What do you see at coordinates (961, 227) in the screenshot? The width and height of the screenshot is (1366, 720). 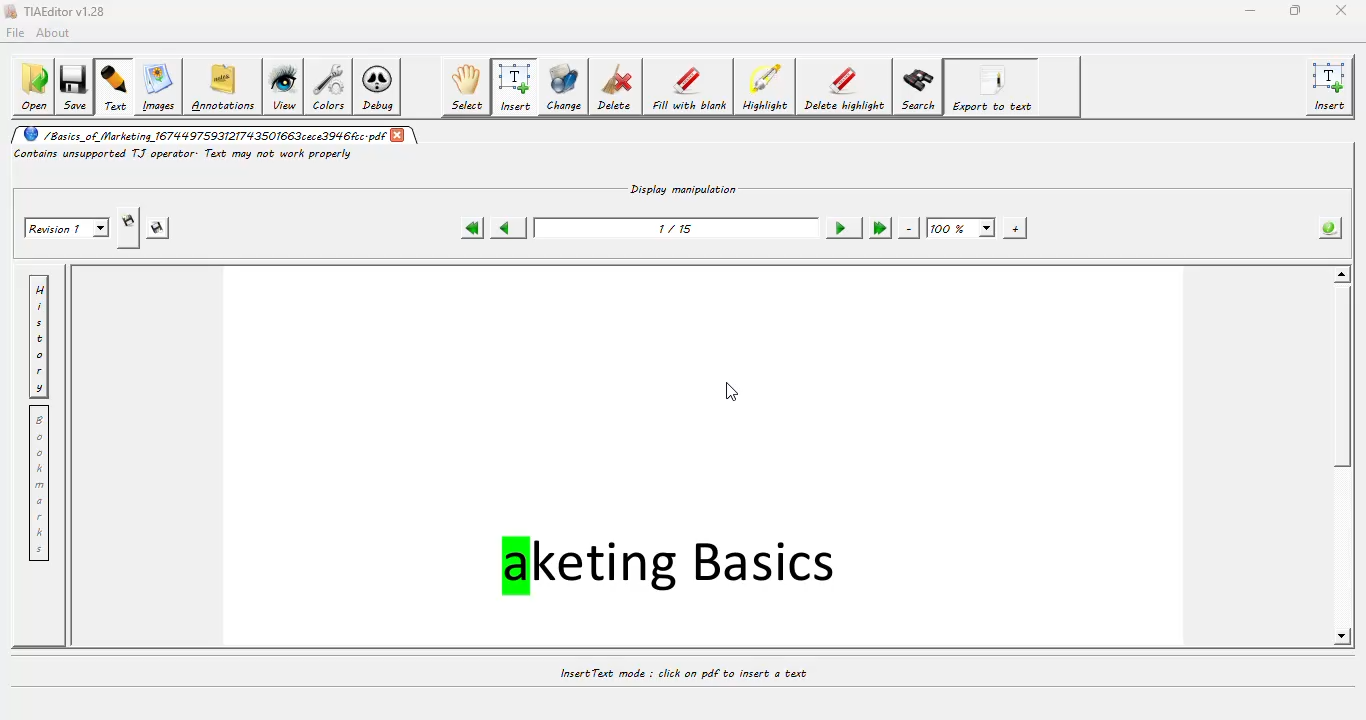 I see `100%` at bounding box center [961, 227].